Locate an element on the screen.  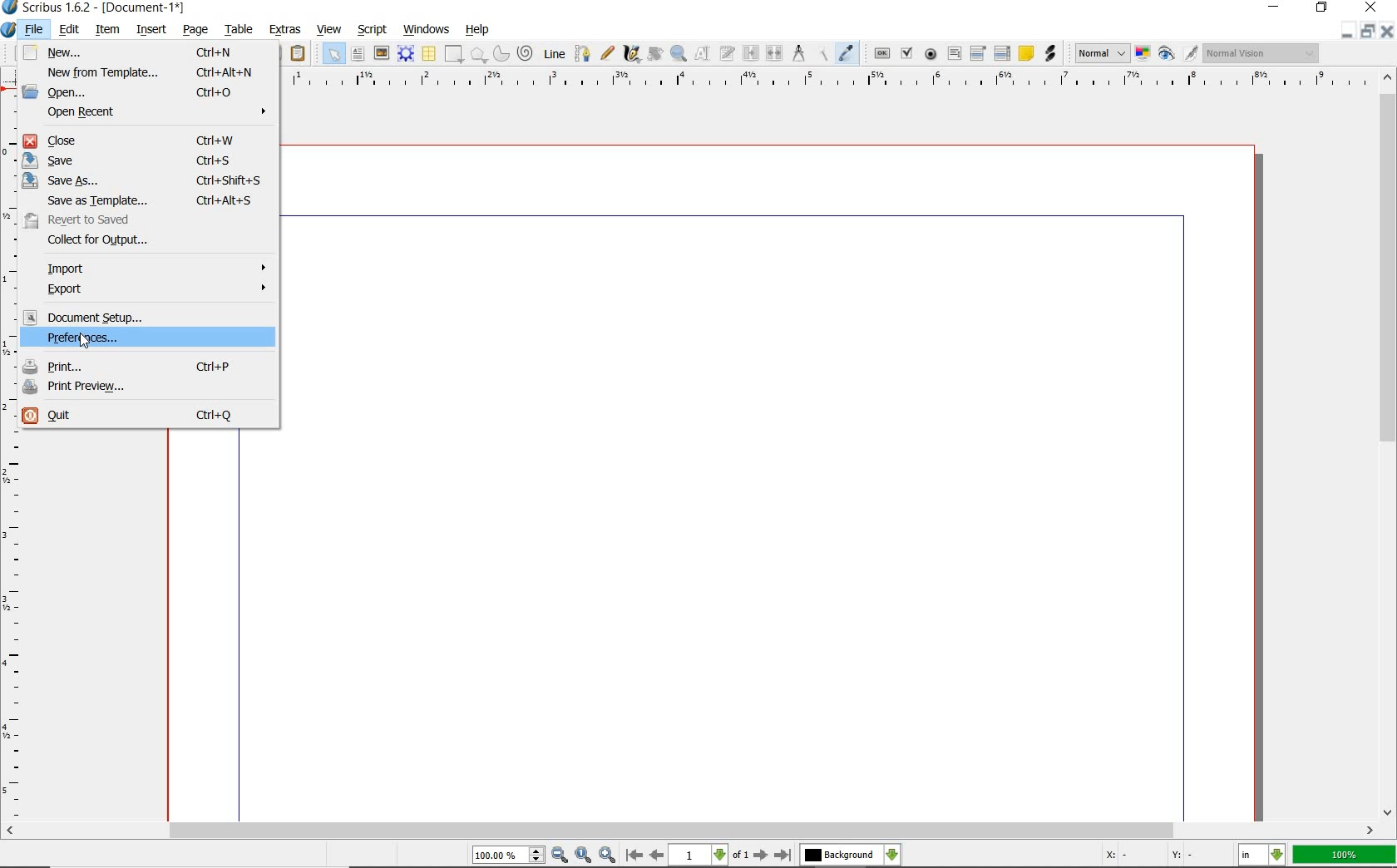
pdf text field is located at coordinates (954, 56).